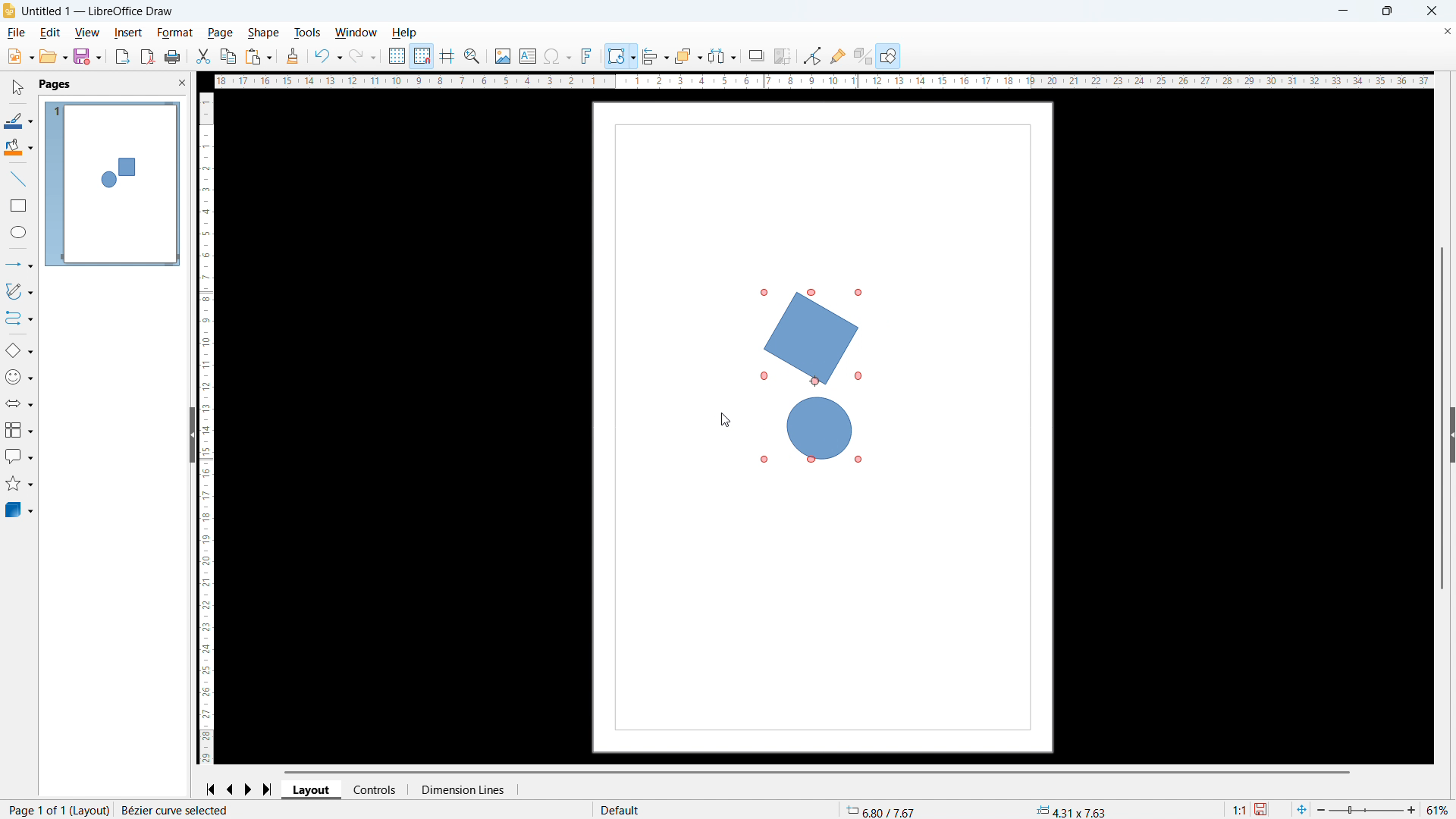 This screenshot has height=819, width=1456. Describe the element at coordinates (220, 33) in the screenshot. I see `page ` at that location.